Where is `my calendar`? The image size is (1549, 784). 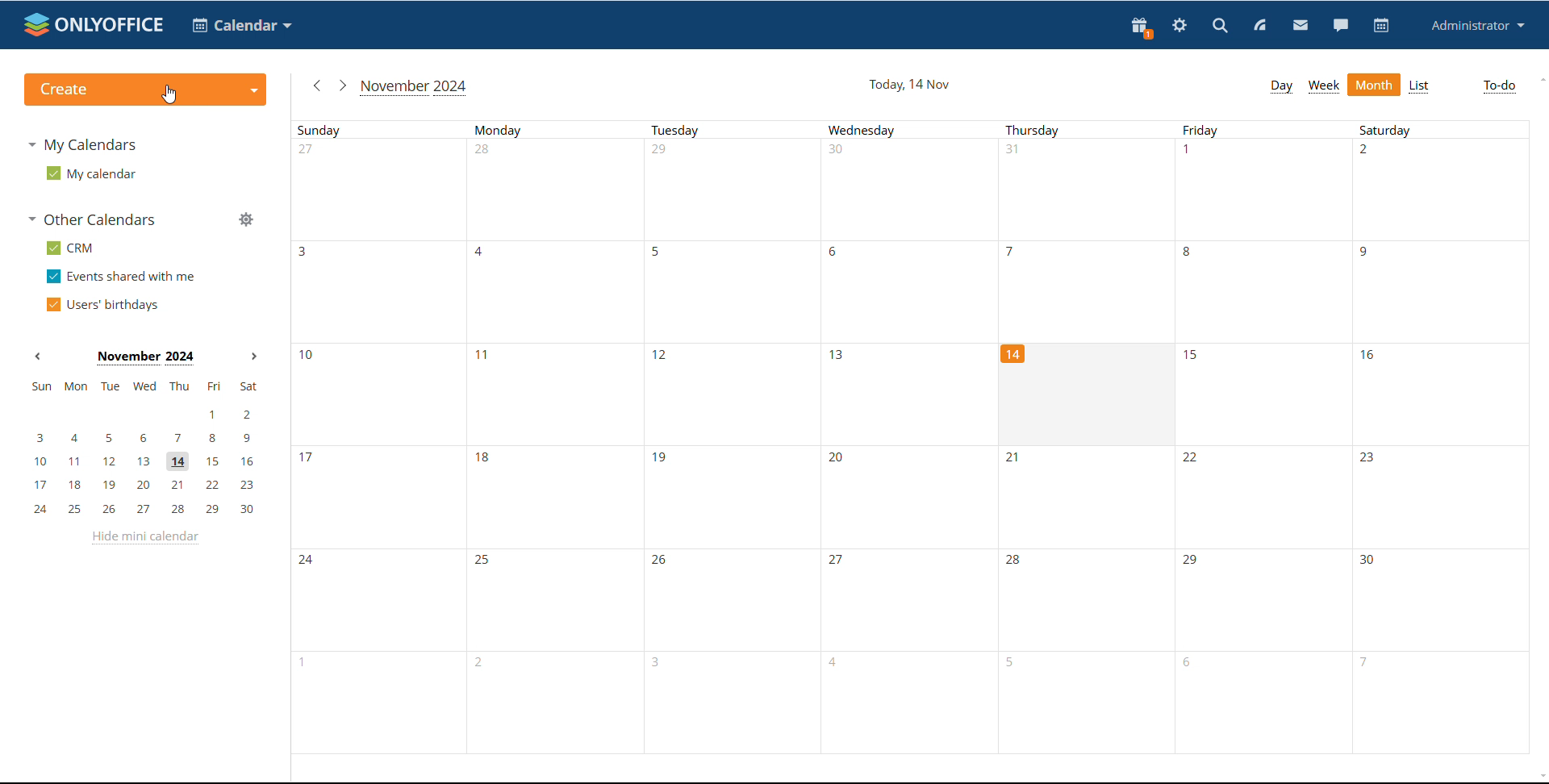 my calendar is located at coordinates (90, 173).